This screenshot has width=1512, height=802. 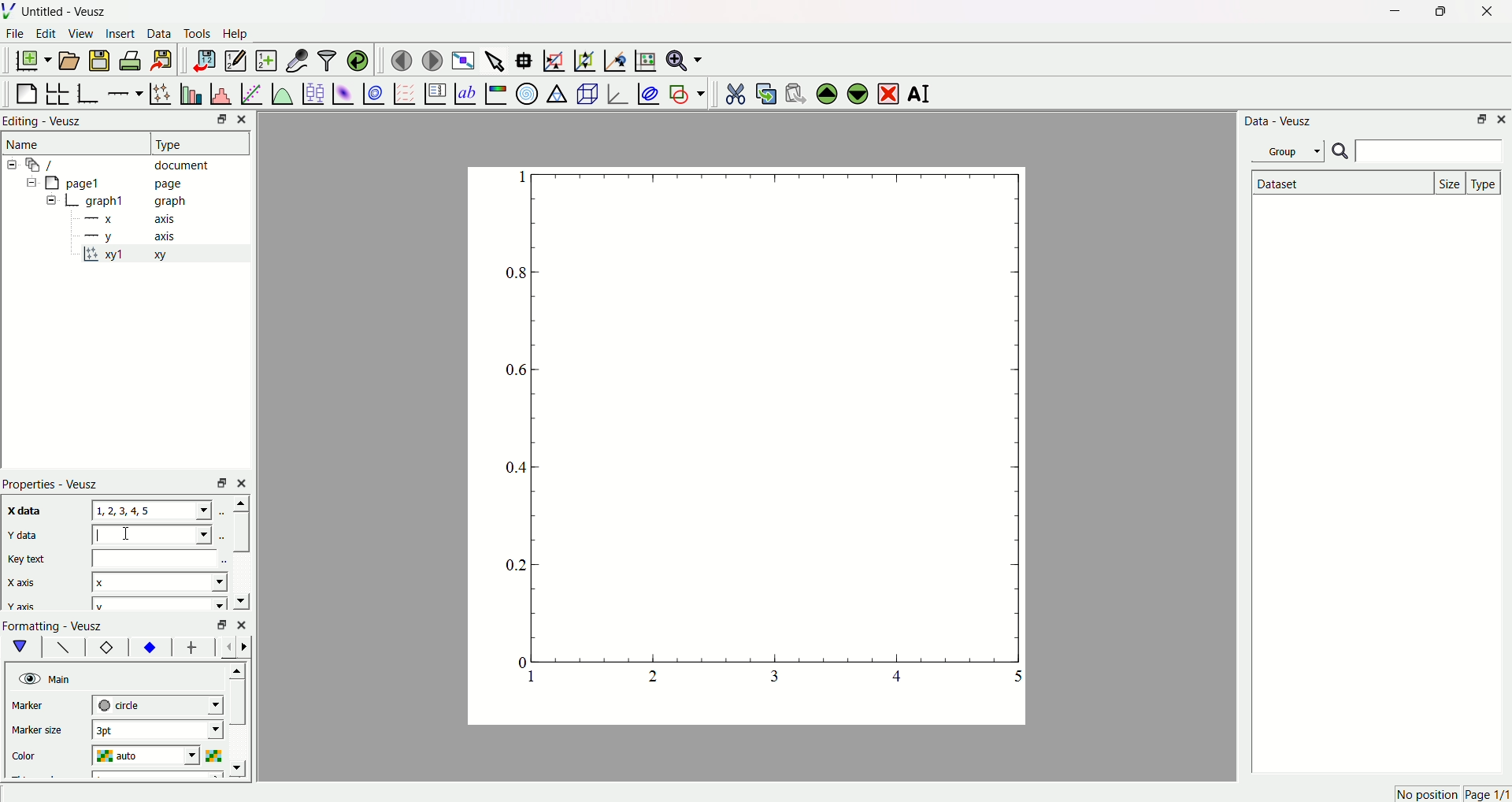 What do you see at coordinates (433, 58) in the screenshot?
I see `move to next page` at bounding box center [433, 58].